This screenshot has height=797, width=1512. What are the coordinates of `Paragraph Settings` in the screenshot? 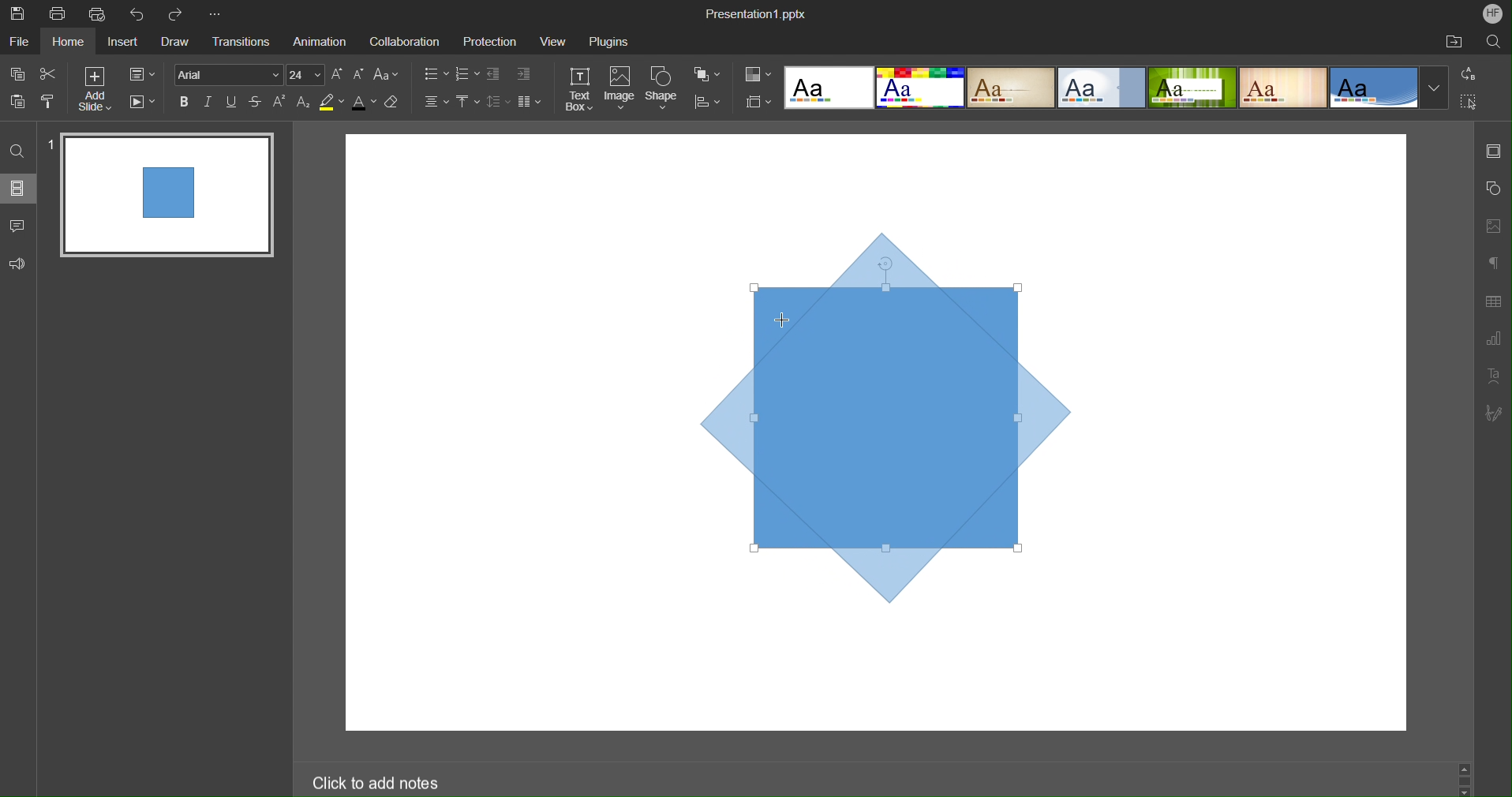 It's located at (1491, 263).